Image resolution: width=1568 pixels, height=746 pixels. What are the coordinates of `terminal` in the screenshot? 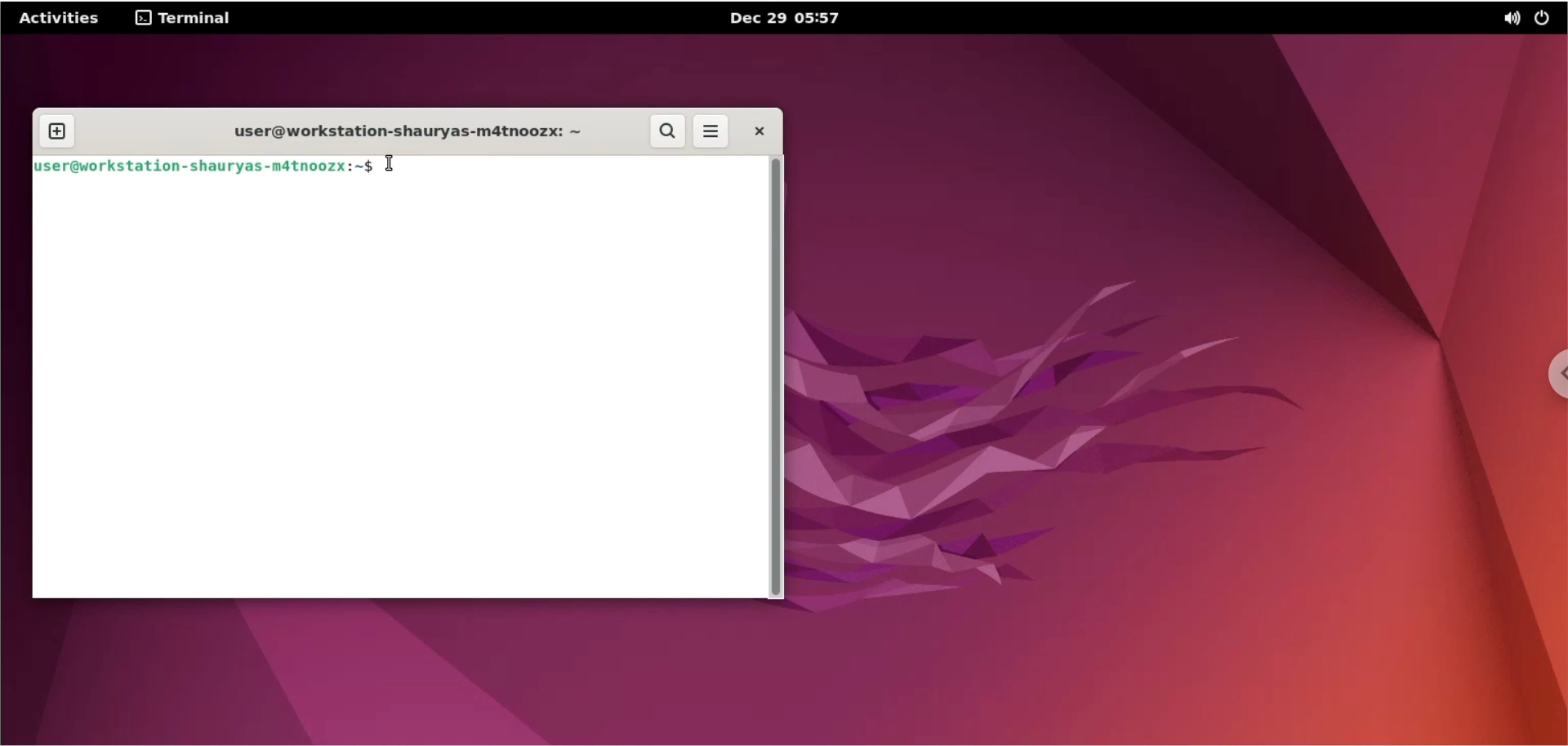 It's located at (185, 20).